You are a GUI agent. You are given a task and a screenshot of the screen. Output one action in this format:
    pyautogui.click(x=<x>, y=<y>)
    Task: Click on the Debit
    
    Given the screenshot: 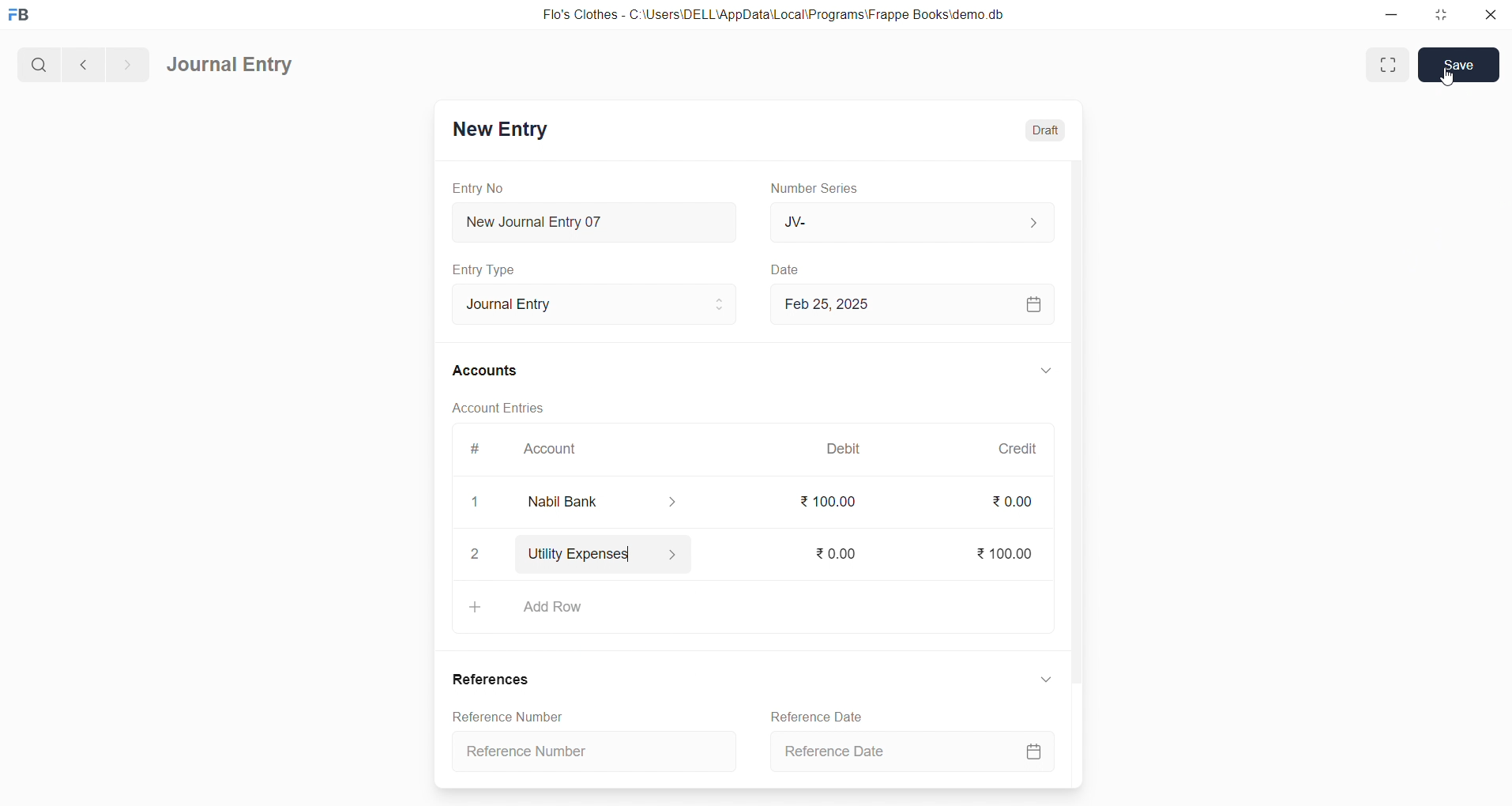 What is the action you would take?
    pyautogui.click(x=844, y=447)
    